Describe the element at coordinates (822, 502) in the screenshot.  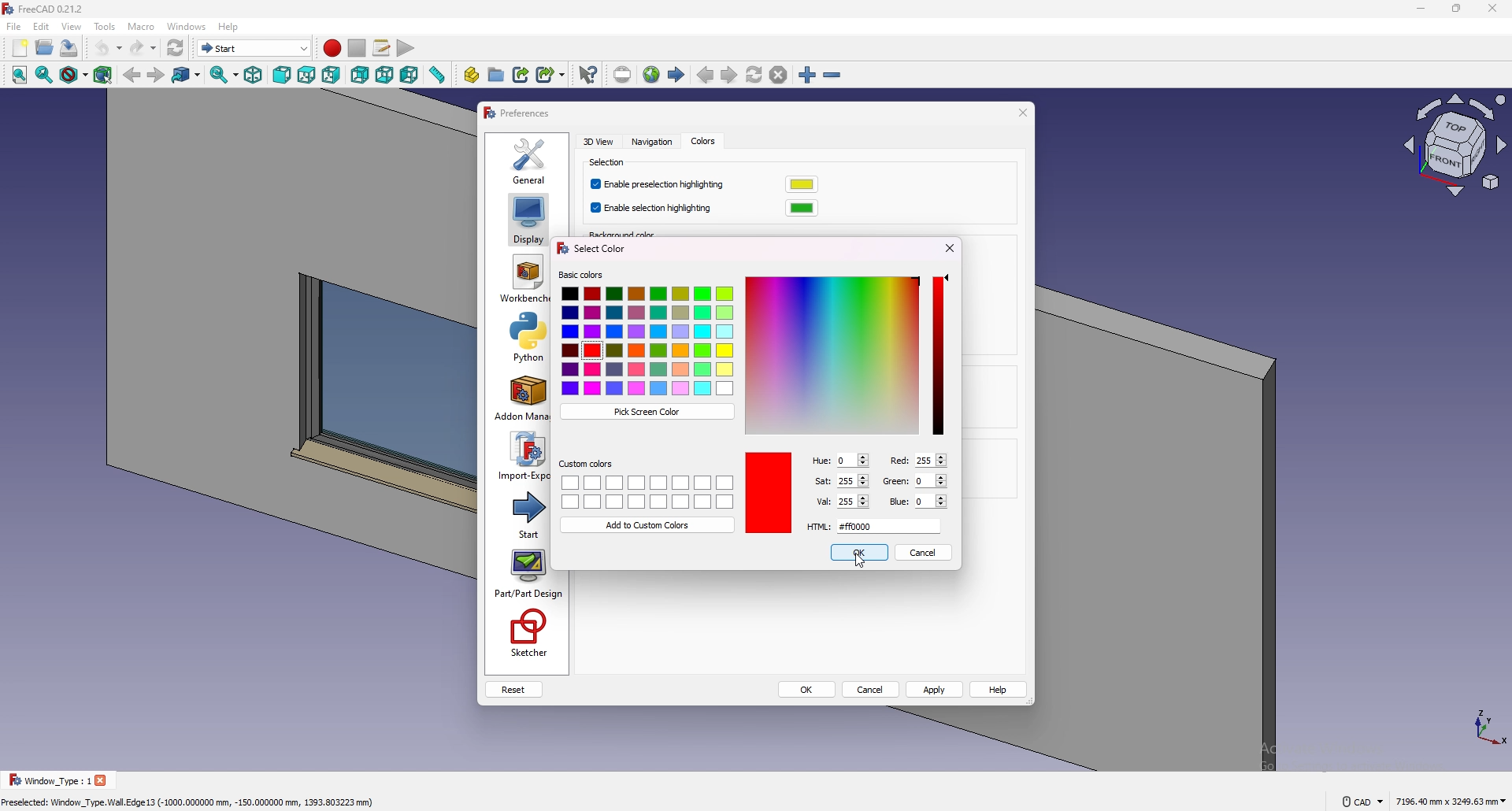
I see `Val:` at that location.